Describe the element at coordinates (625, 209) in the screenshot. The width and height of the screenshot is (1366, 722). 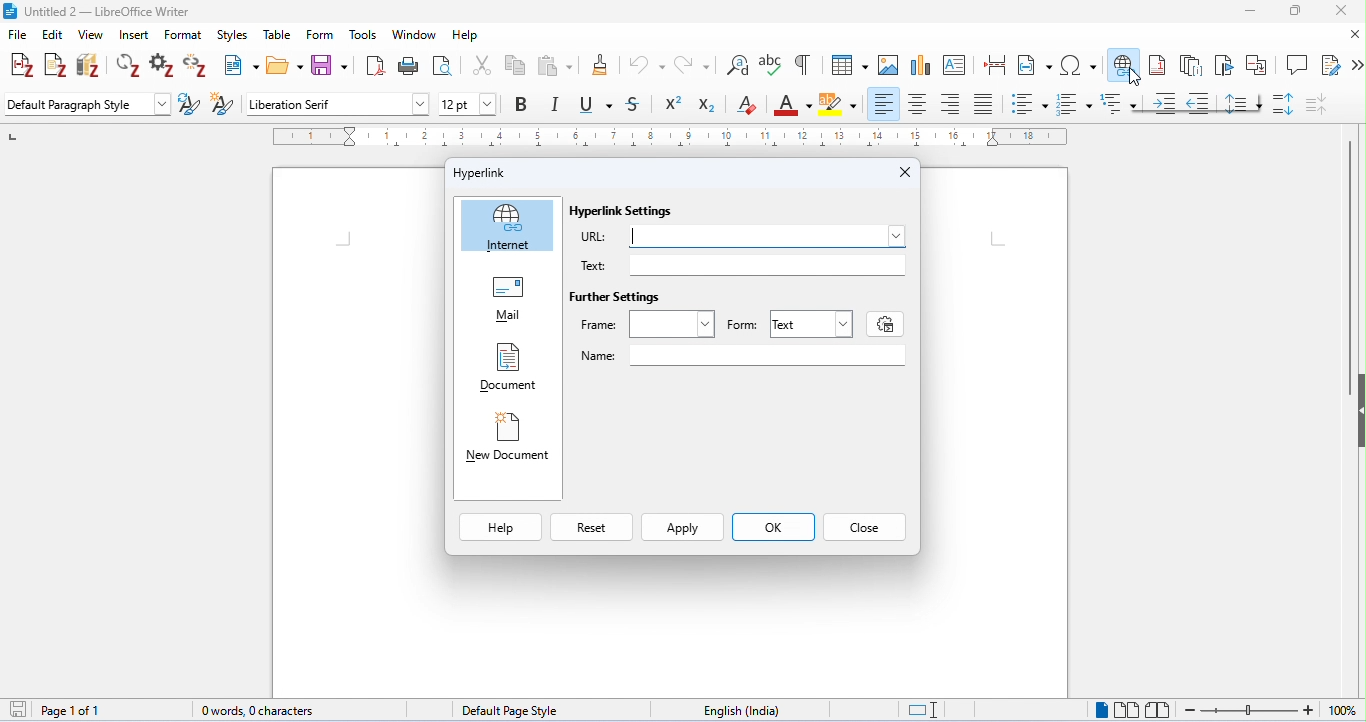
I see `Hyperlink Settings` at that location.